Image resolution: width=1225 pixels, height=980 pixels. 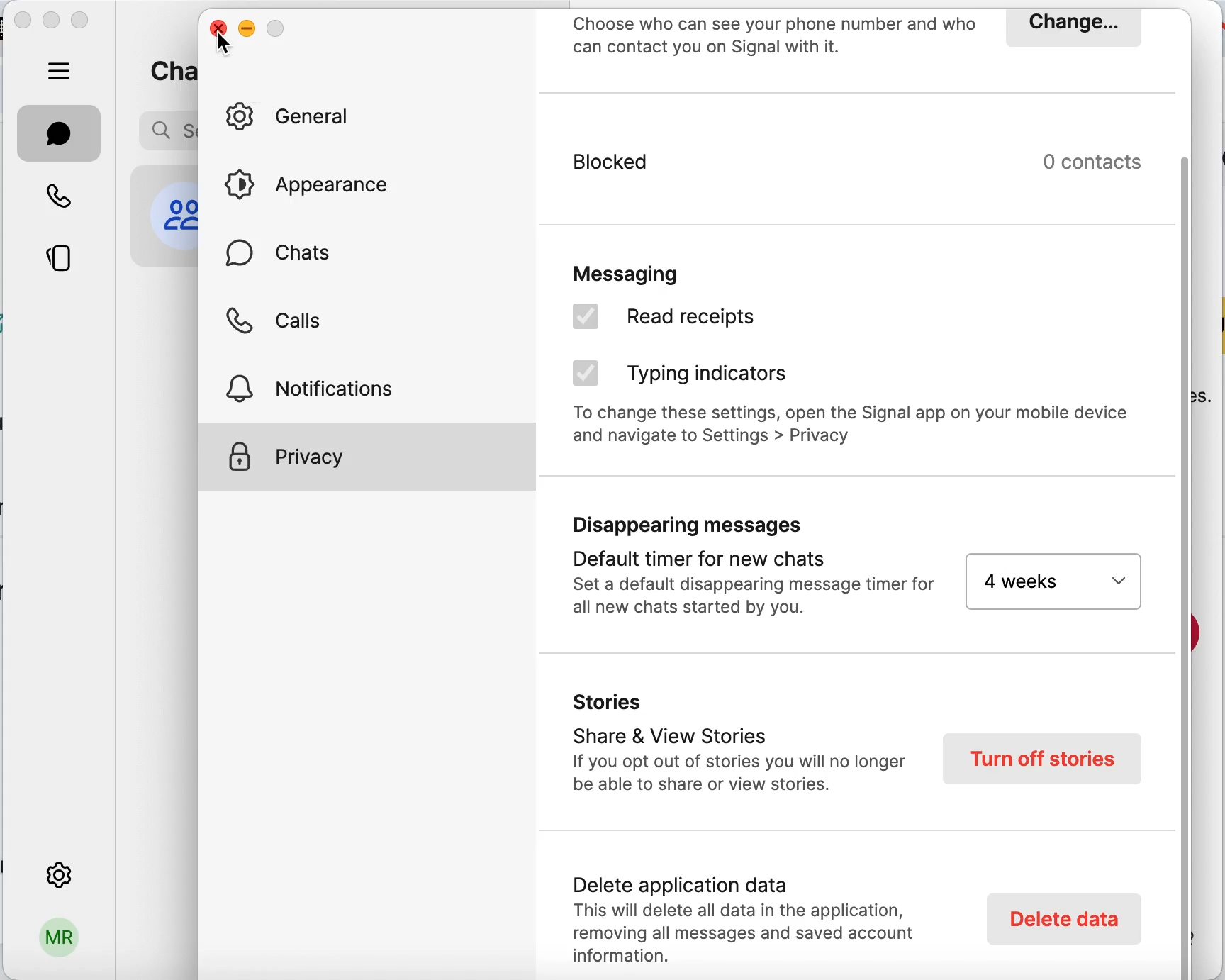 I want to click on stories, so click(x=61, y=261).